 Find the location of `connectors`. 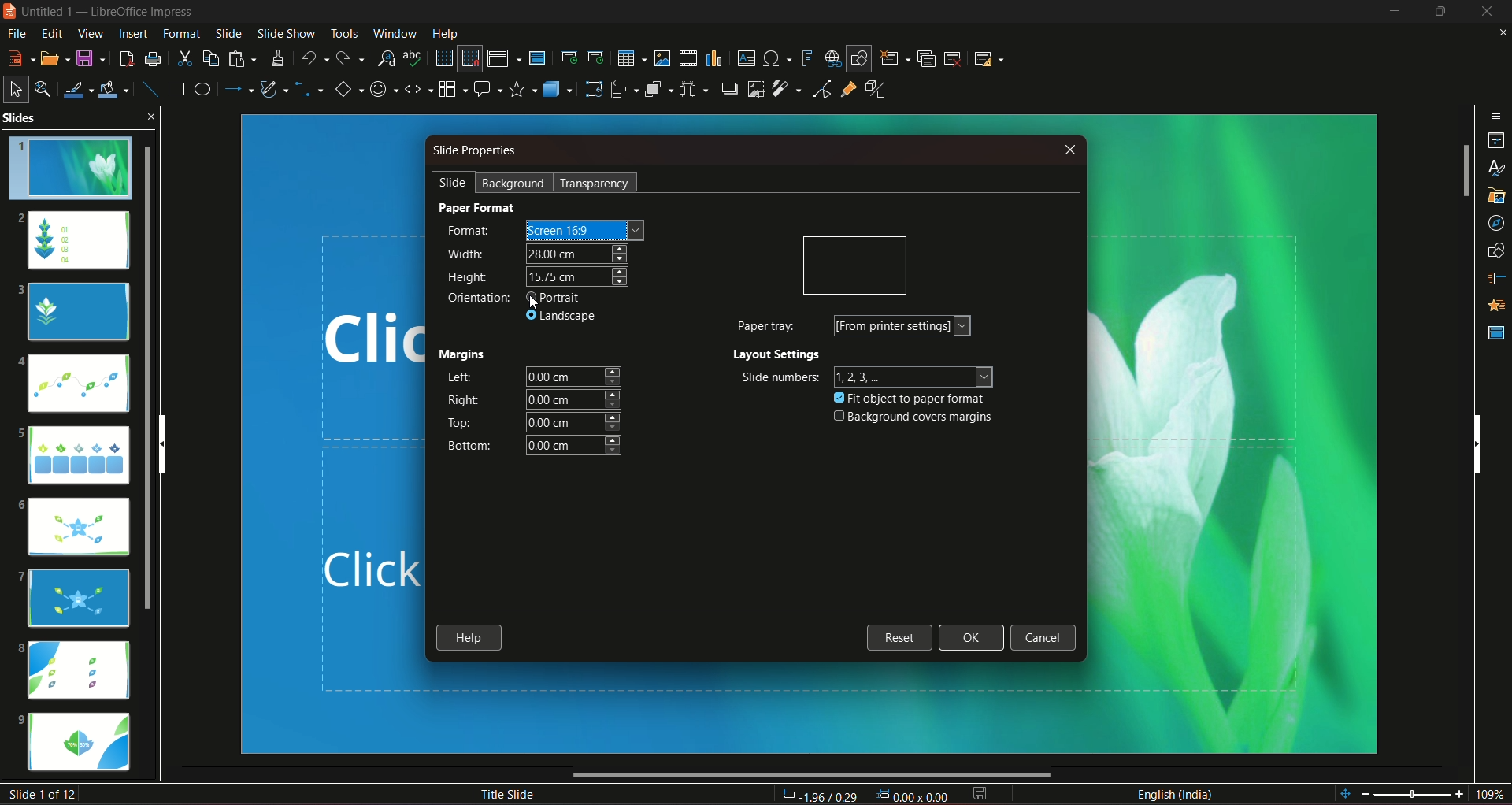

connectors is located at coordinates (309, 90).